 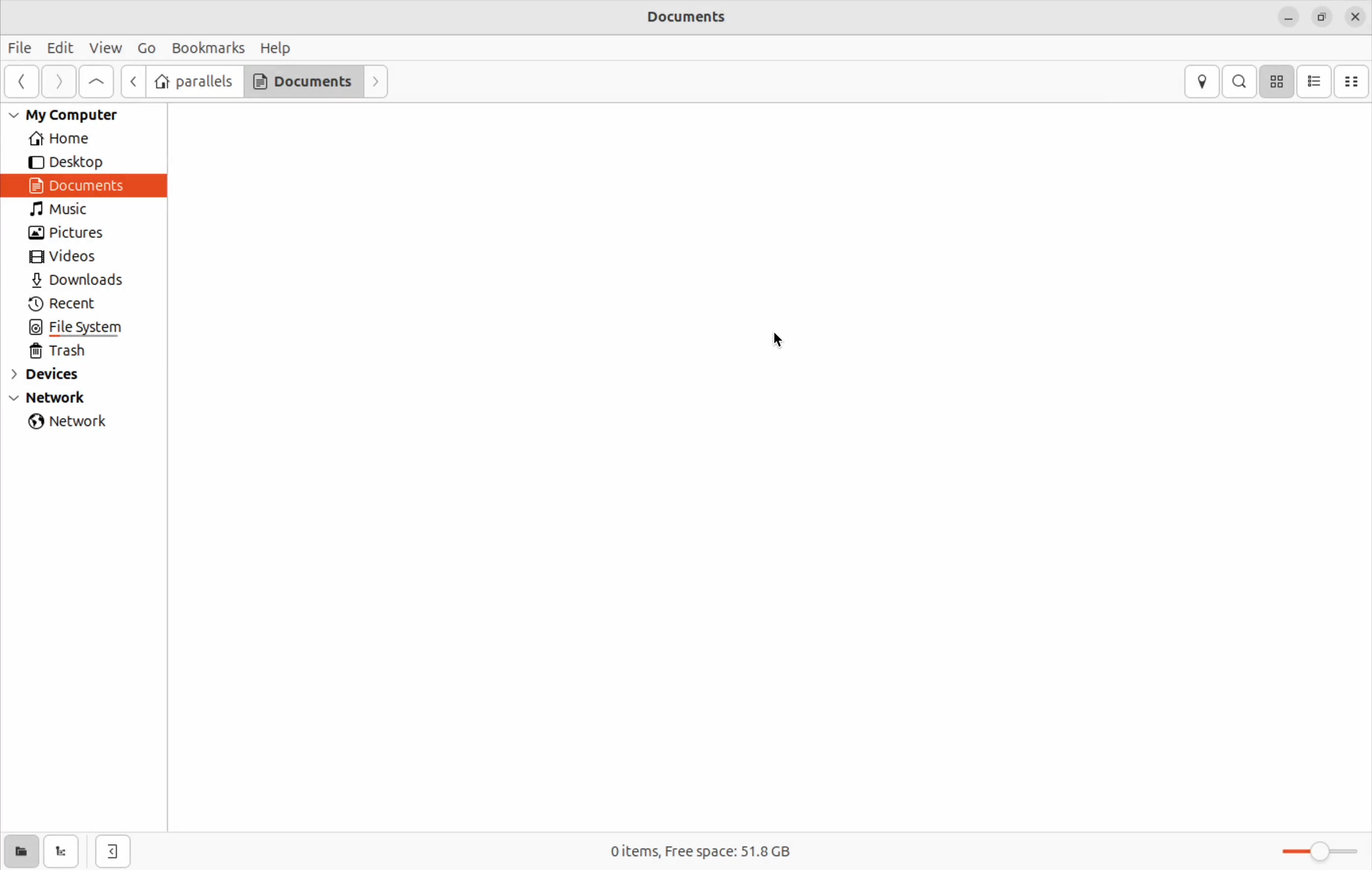 What do you see at coordinates (193, 81) in the screenshot?
I see `parallels` at bounding box center [193, 81].